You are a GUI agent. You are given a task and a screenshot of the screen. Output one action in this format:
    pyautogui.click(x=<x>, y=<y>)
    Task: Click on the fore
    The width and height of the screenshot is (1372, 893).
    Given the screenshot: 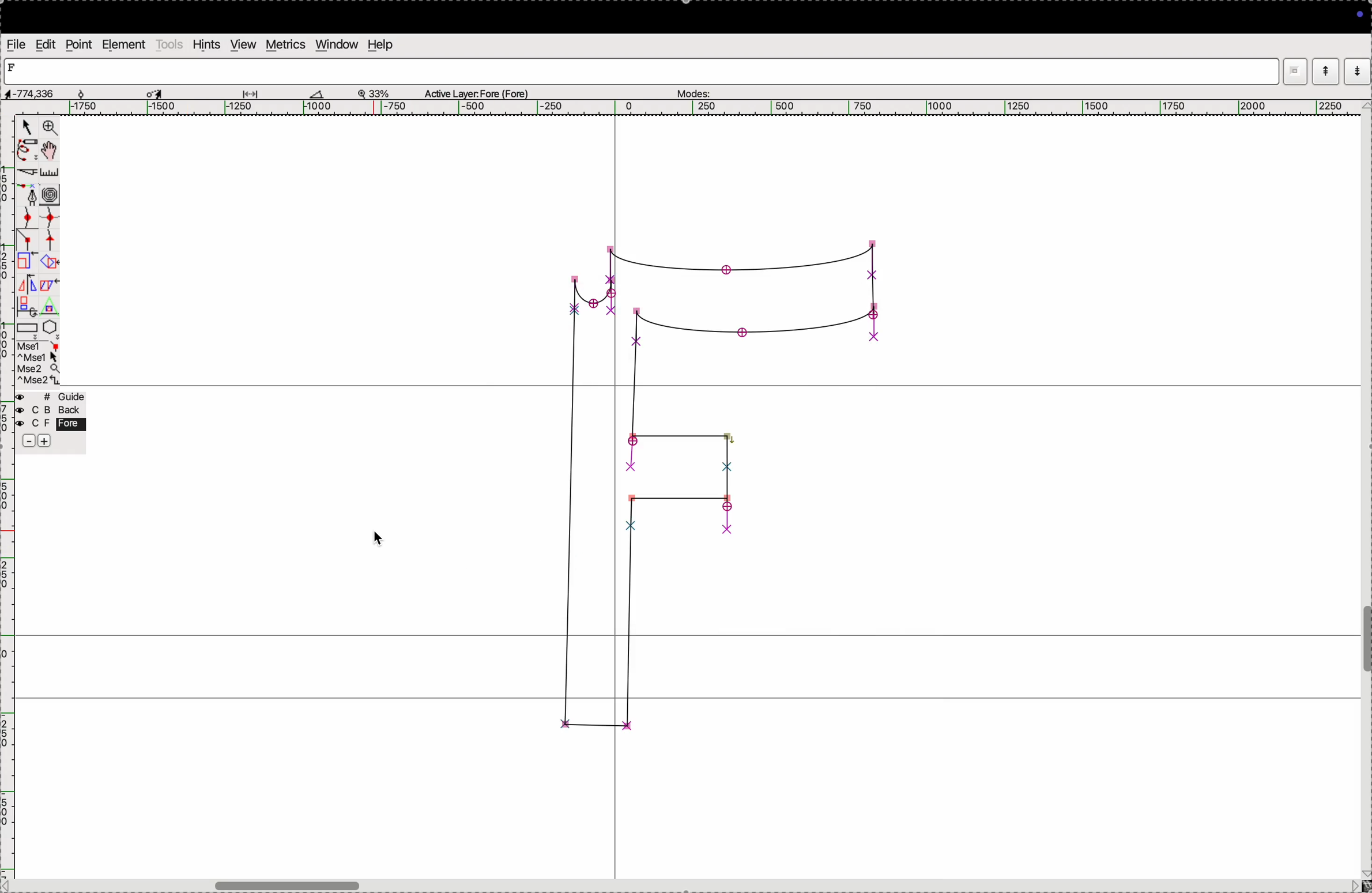 What is the action you would take?
    pyautogui.click(x=52, y=425)
    